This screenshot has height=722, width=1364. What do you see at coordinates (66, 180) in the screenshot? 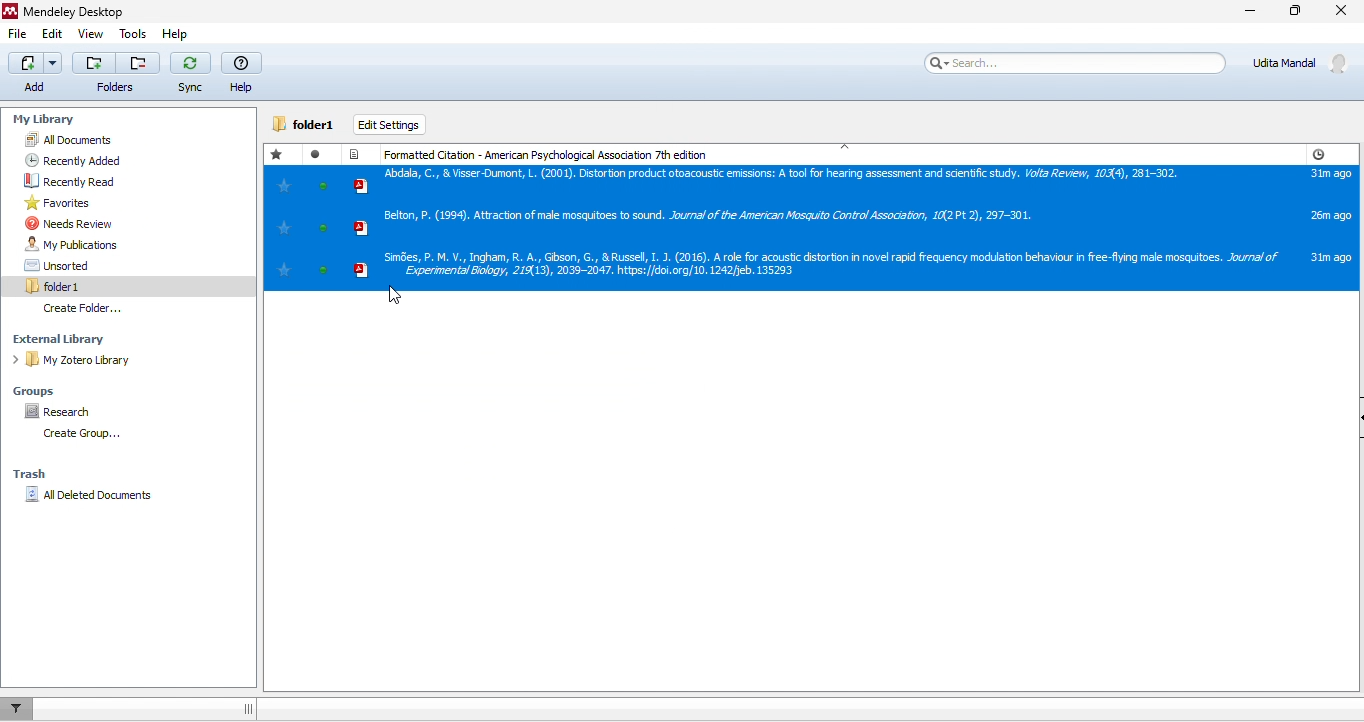
I see `recently read` at bounding box center [66, 180].